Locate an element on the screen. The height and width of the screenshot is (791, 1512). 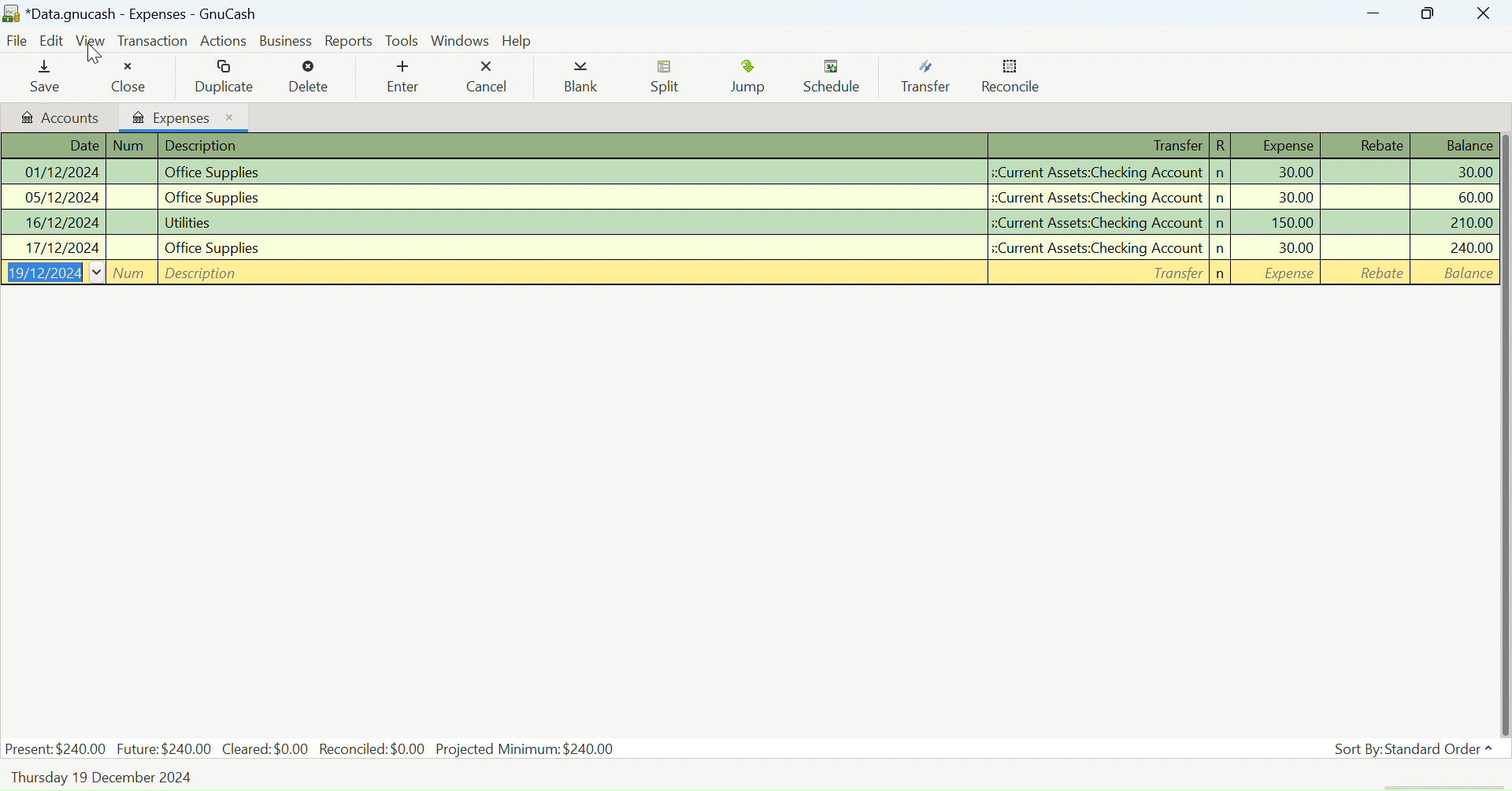
Accounts is located at coordinates (61, 117).